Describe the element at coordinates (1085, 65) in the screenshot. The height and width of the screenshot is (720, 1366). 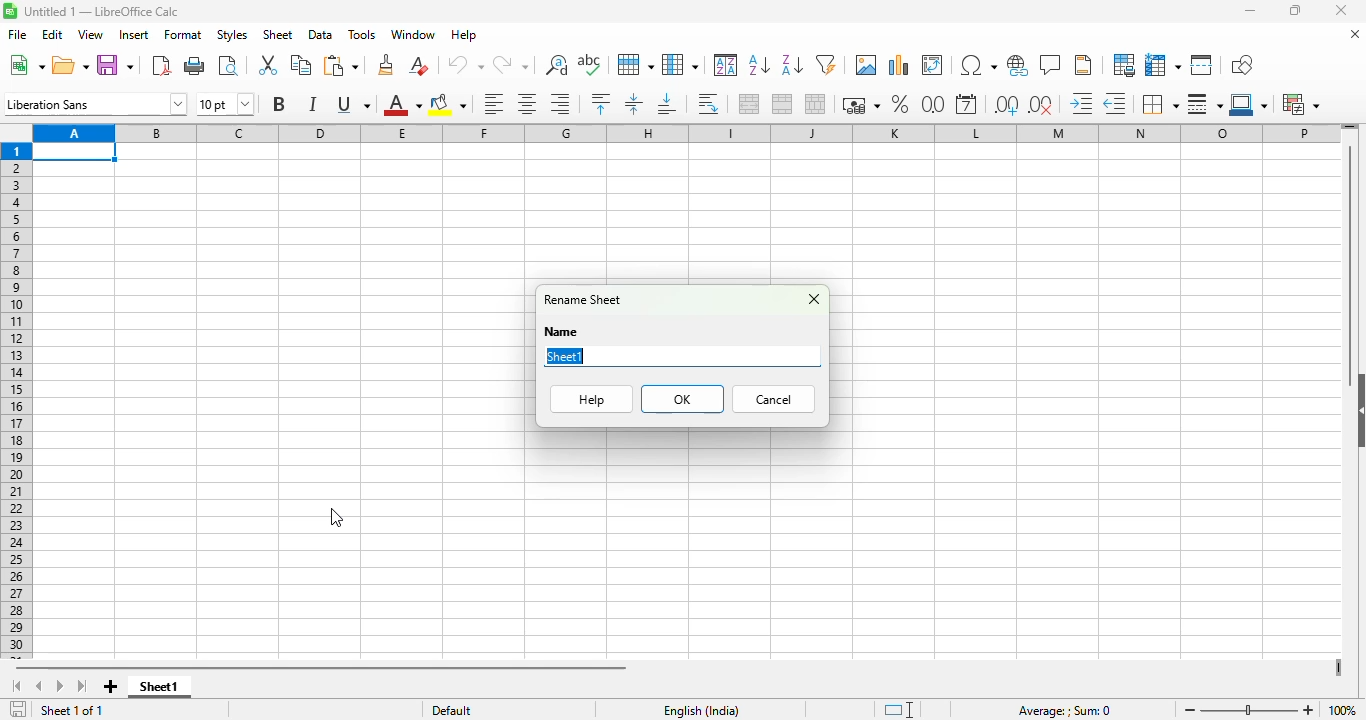
I see `headers and footers` at that location.